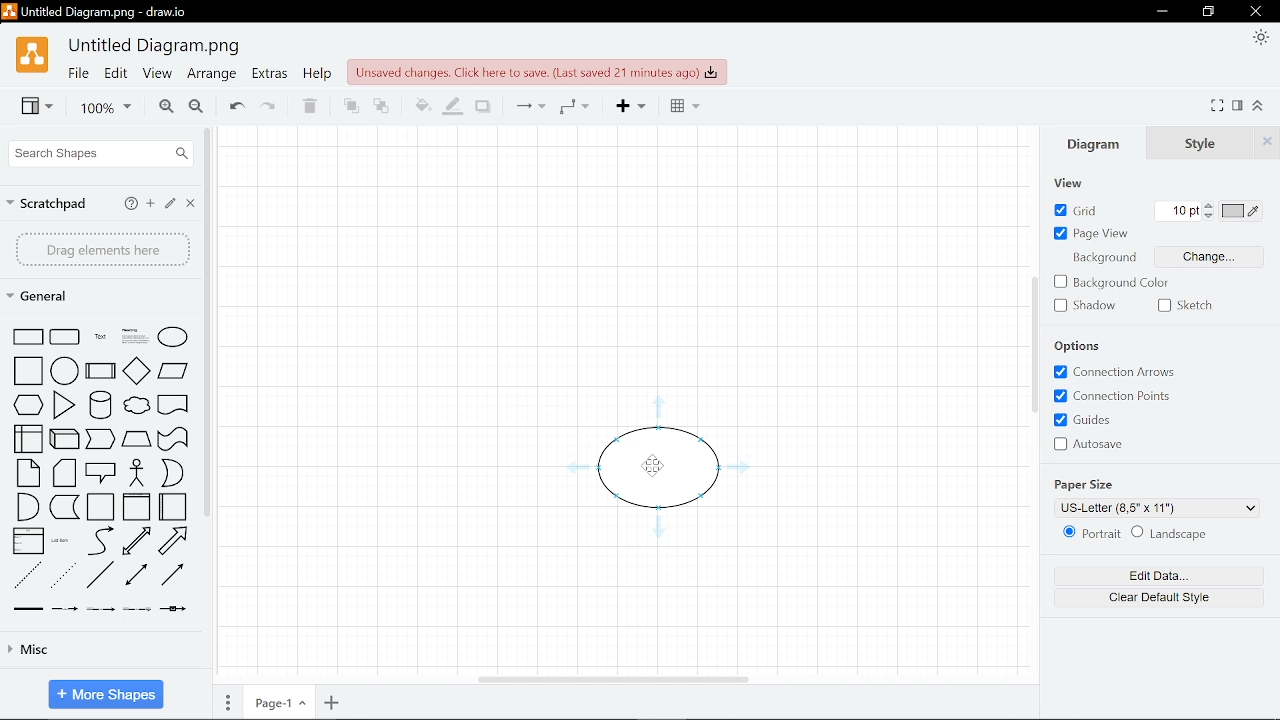 The image size is (1280, 720). I want to click on Diagram, so click(1094, 141).